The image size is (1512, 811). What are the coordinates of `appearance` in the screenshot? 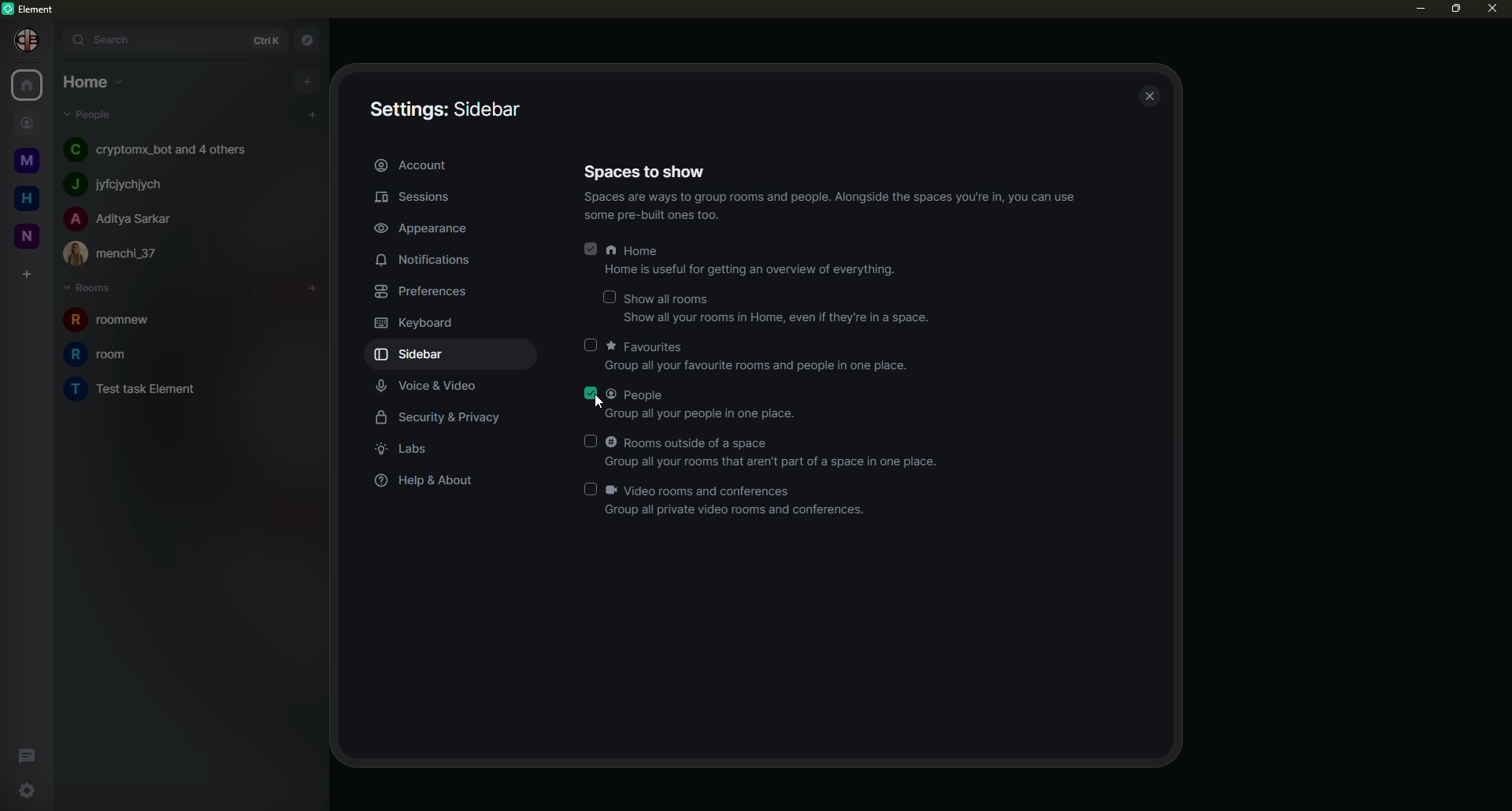 It's located at (423, 225).